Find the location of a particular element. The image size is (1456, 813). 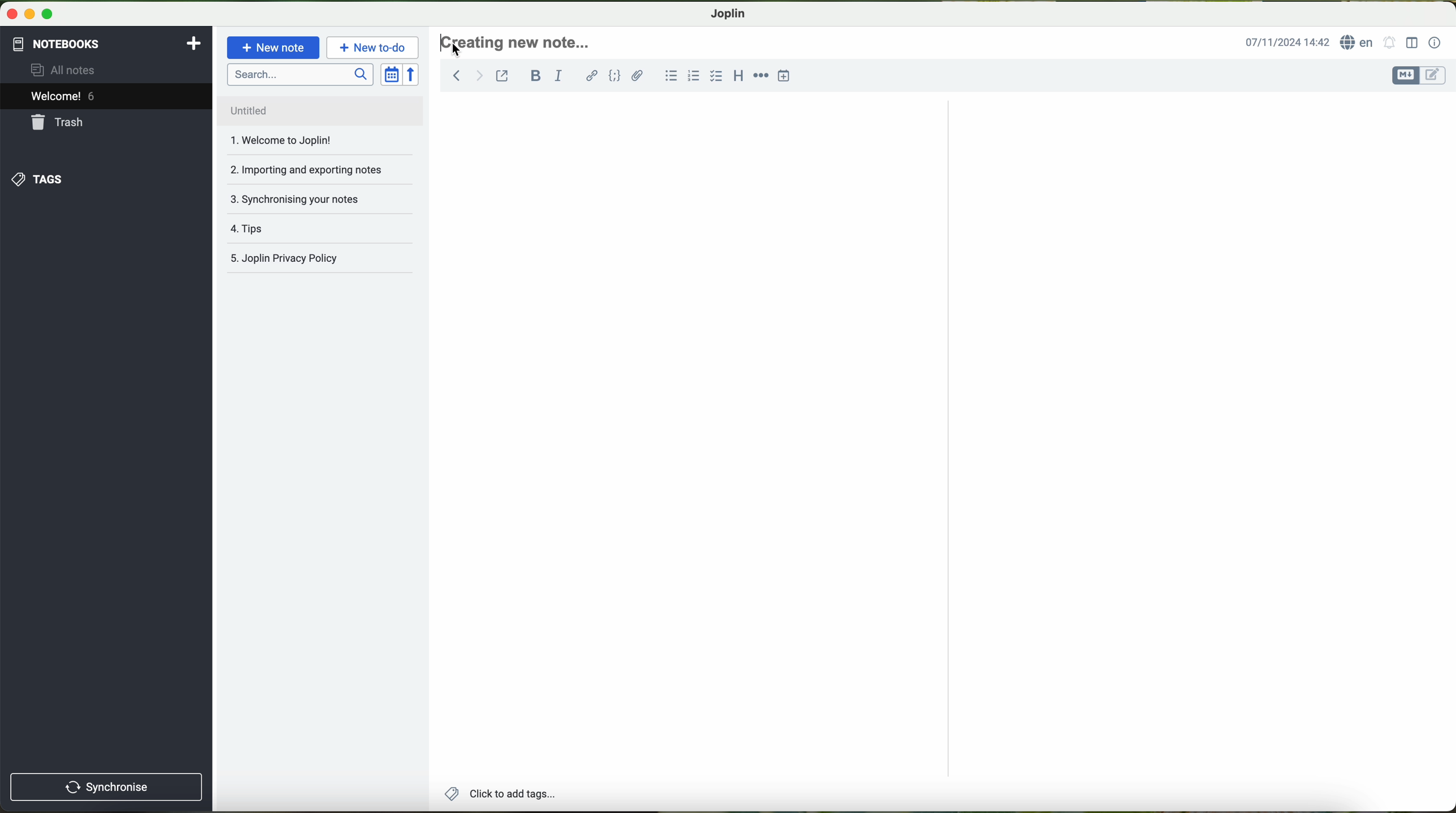

toggle editor layout is located at coordinates (1411, 43).